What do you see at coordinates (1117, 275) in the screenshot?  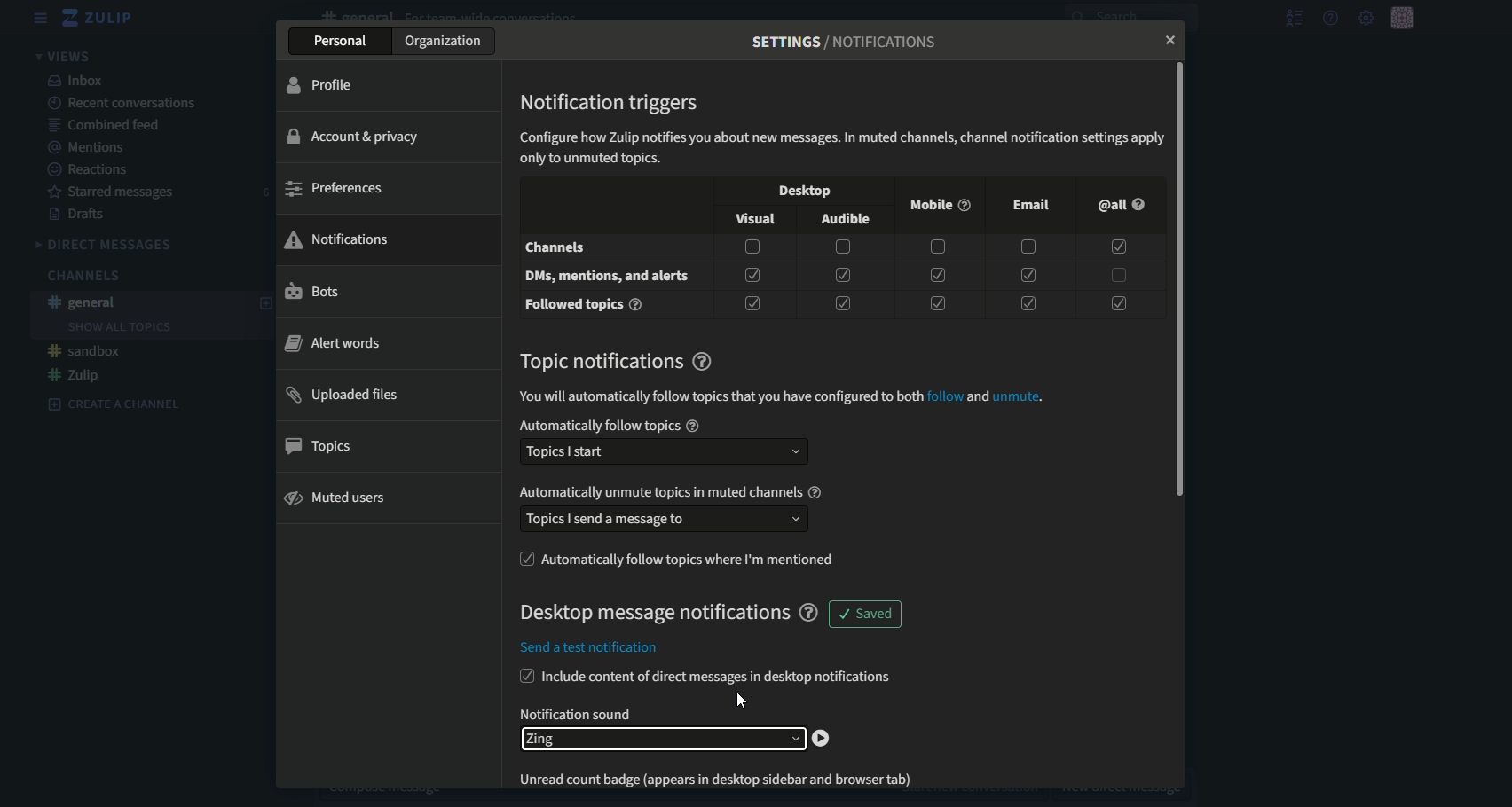 I see `checkbox` at bounding box center [1117, 275].